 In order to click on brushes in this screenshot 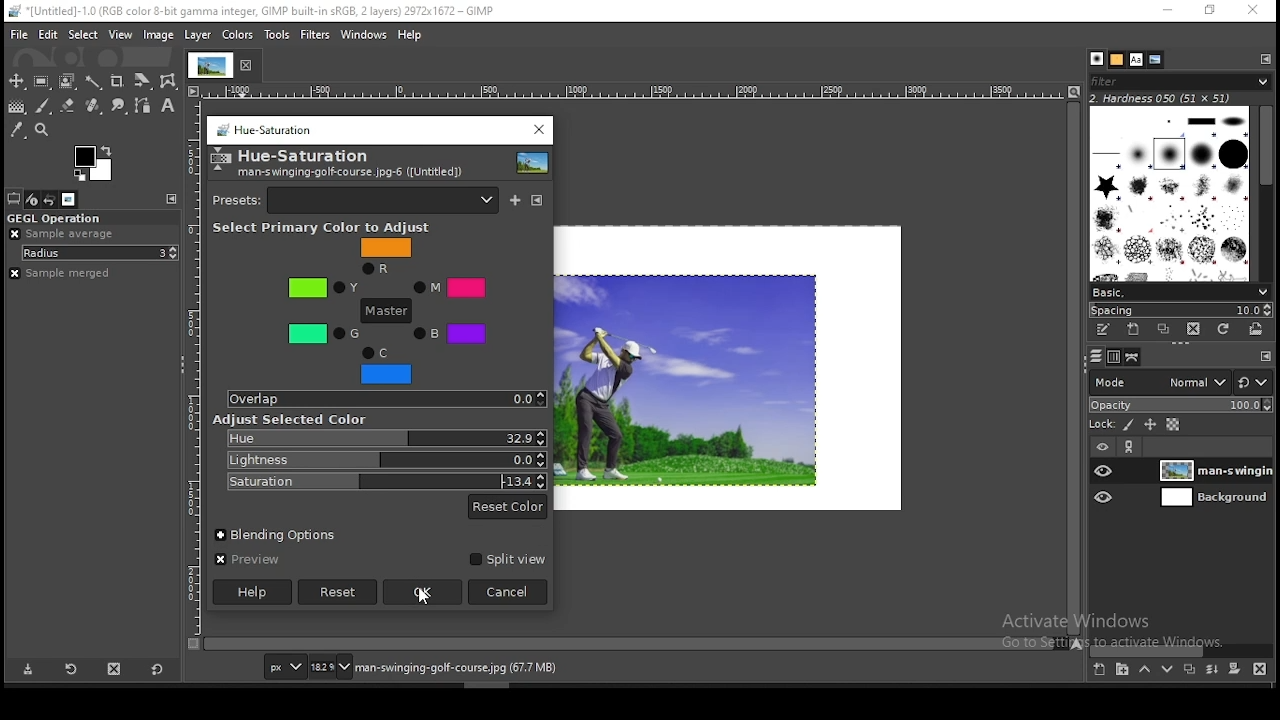, I will do `click(1095, 58)`.